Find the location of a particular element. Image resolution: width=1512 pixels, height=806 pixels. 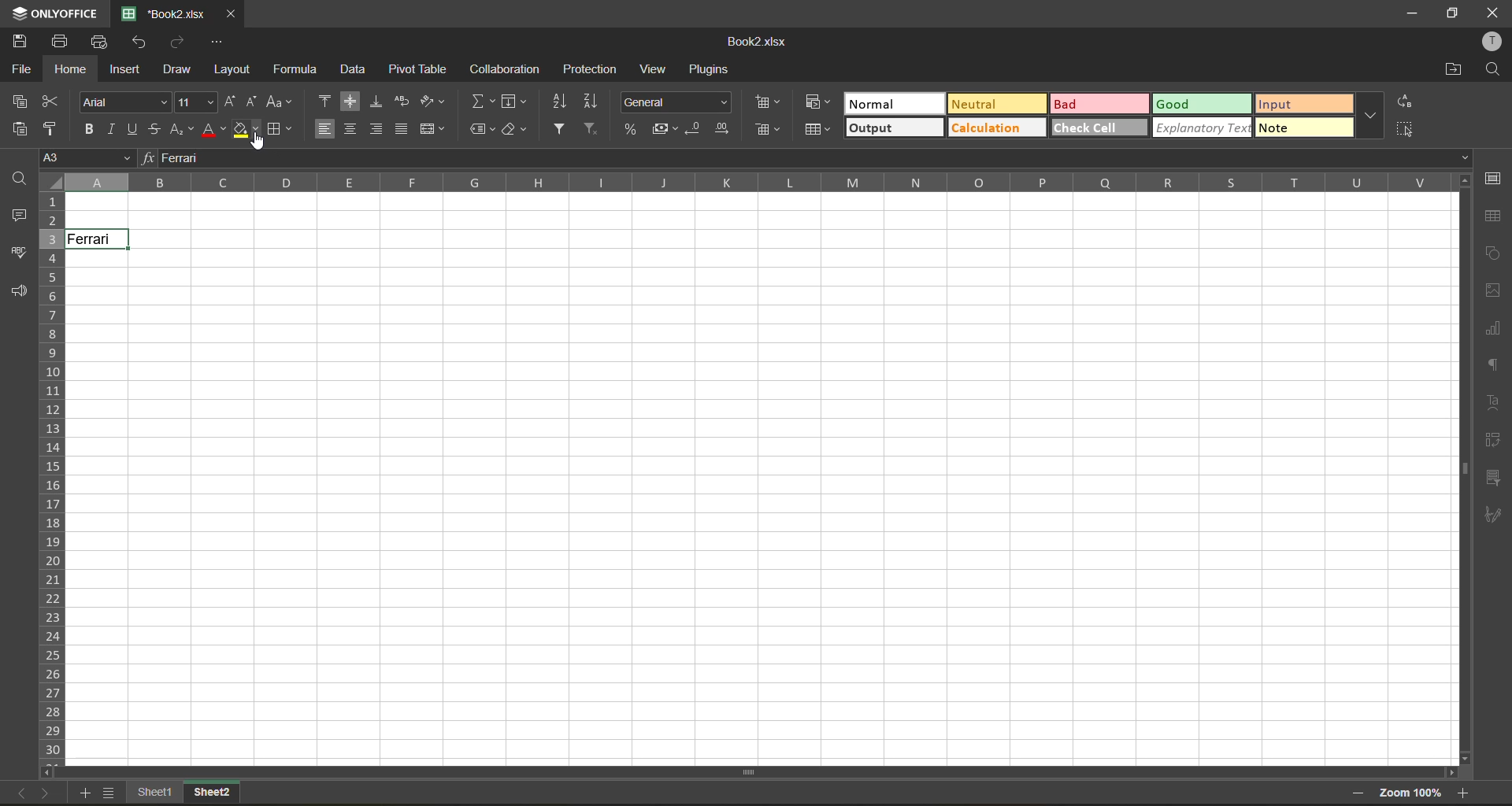

cell address is located at coordinates (87, 155).